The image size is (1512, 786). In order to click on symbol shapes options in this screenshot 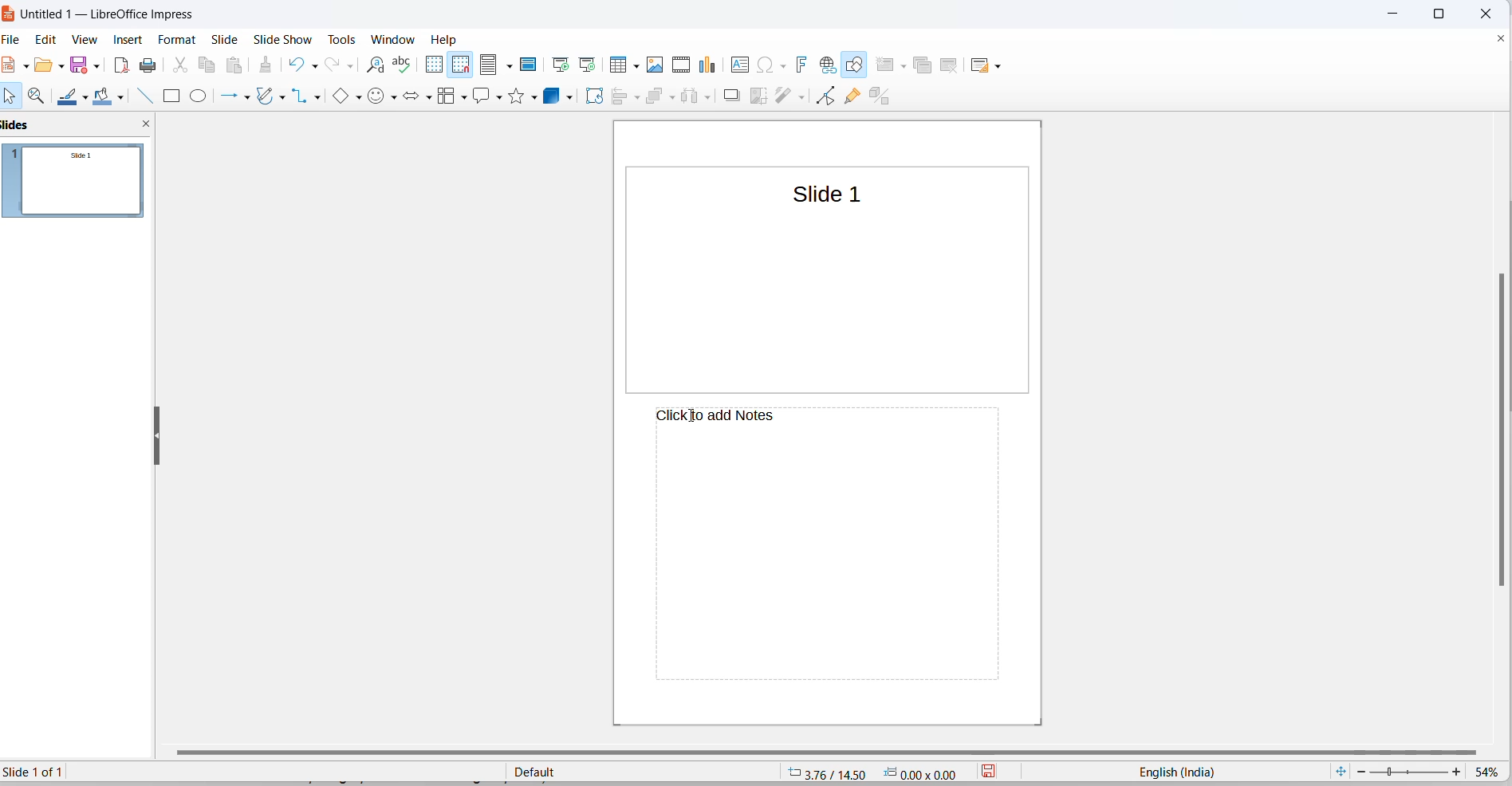, I will do `click(395, 99)`.